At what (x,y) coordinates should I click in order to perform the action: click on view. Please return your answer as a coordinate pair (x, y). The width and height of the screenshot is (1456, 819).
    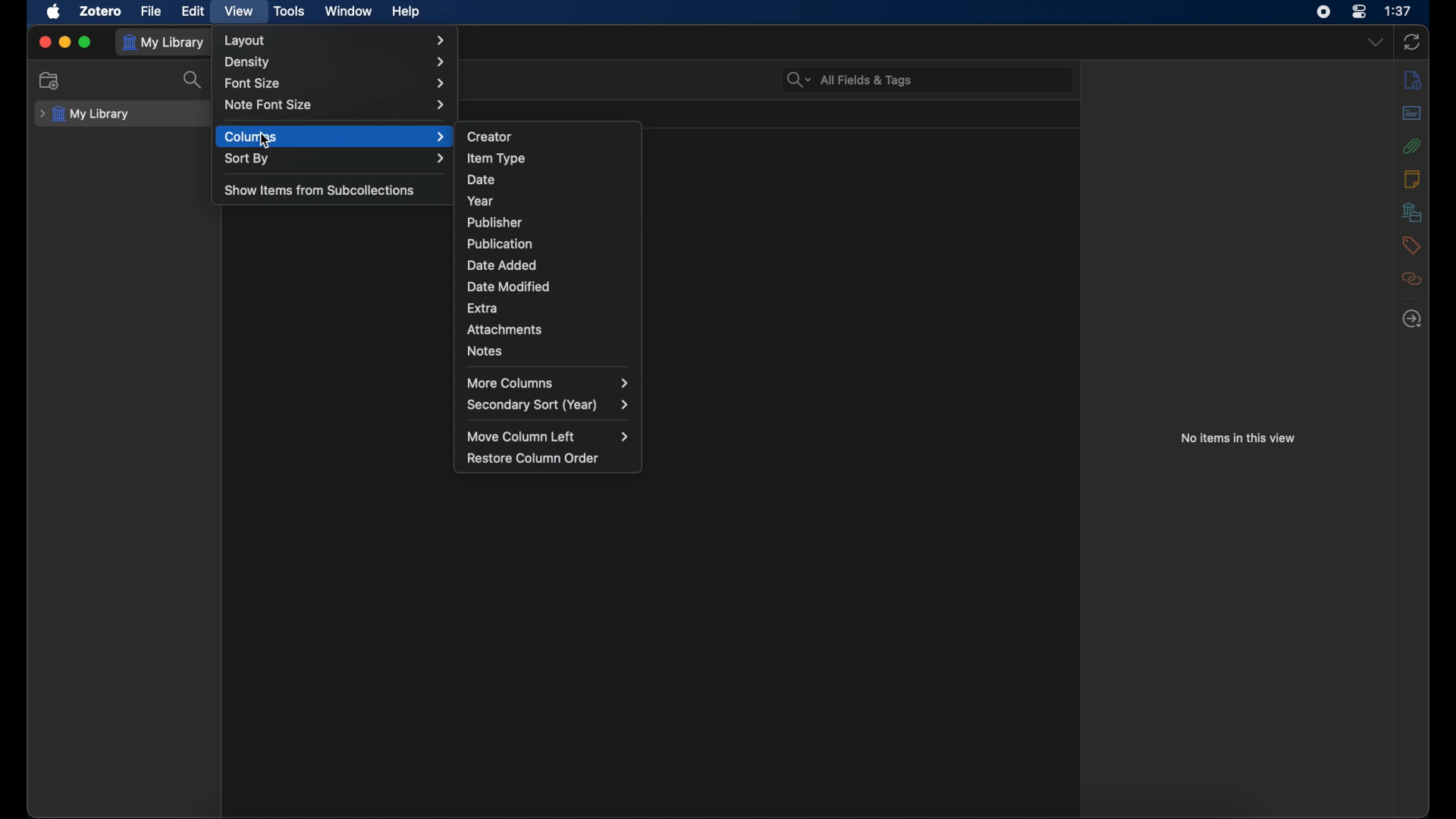
    Looking at the image, I should click on (240, 12).